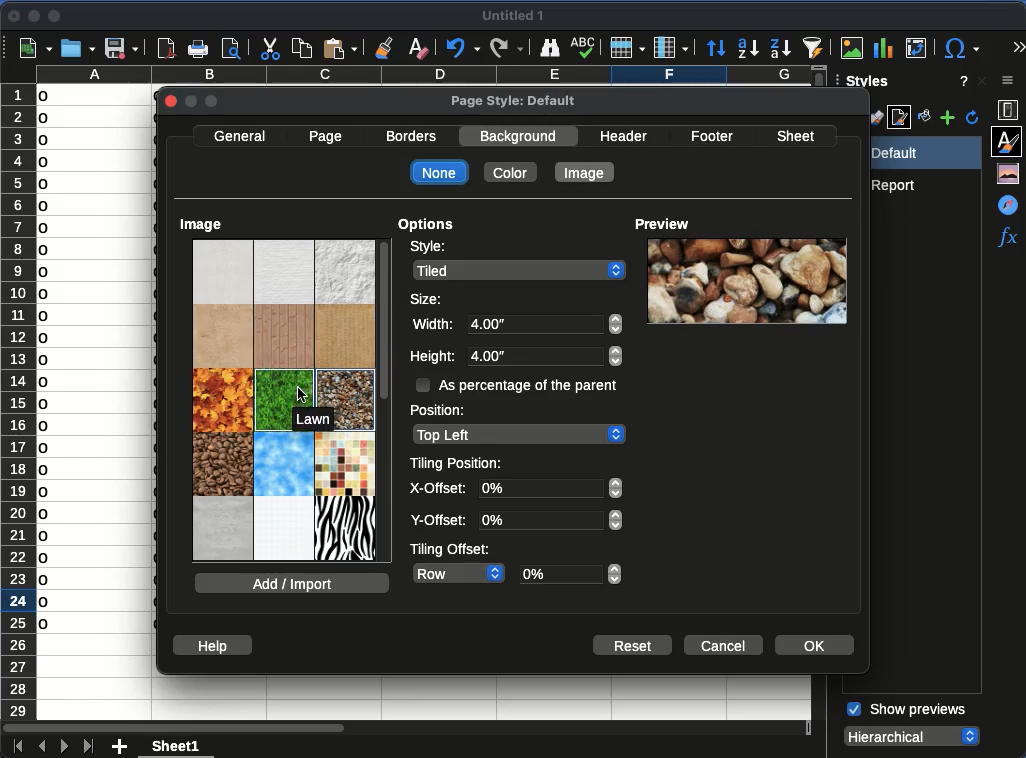 The height and width of the screenshot is (758, 1026). What do you see at coordinates (440, 522) in the screenshot?
I see `y offset` at bounding box center [440, 522].